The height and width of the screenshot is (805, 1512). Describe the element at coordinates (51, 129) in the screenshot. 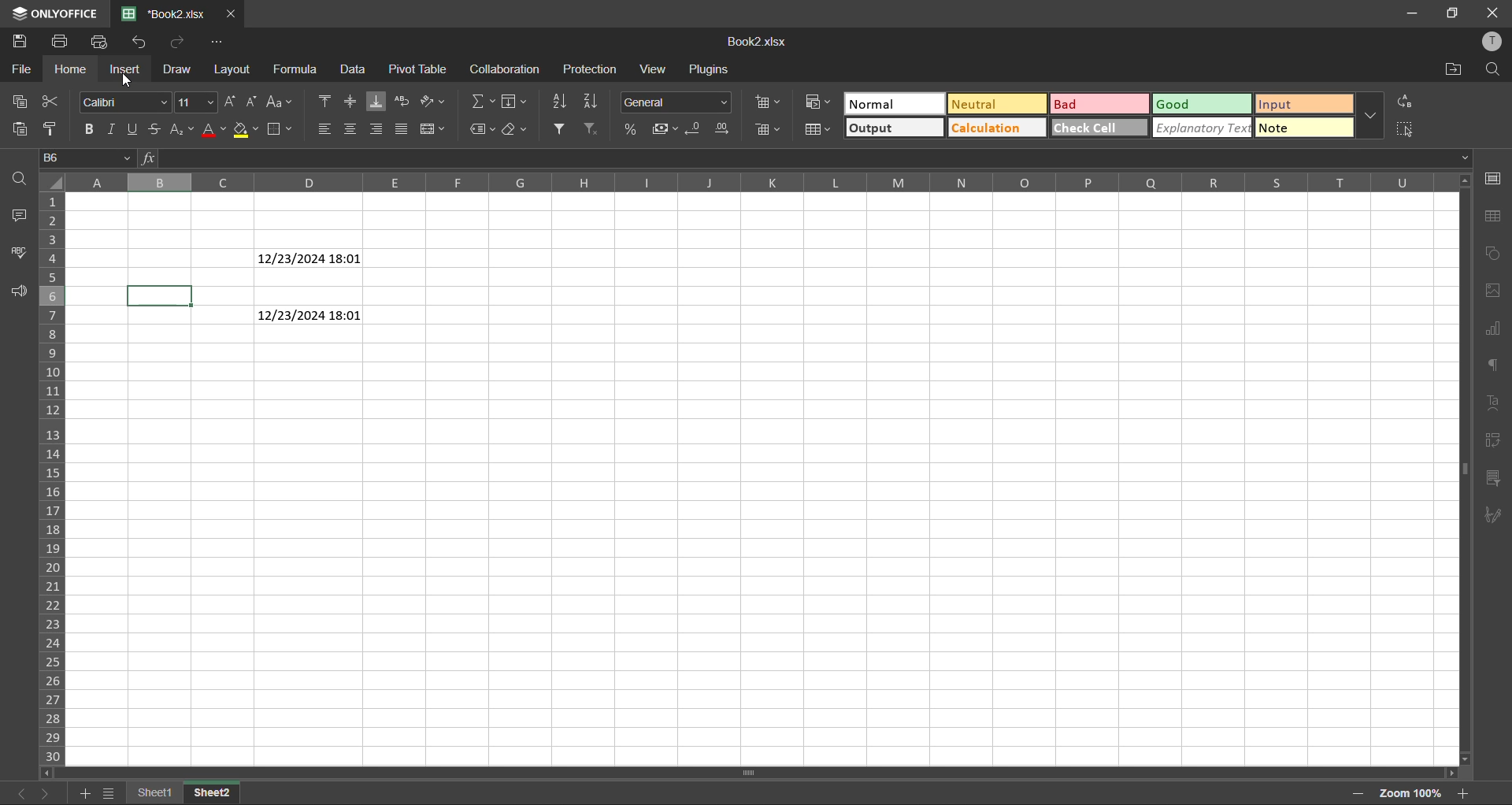

I see `copy style` at that location.